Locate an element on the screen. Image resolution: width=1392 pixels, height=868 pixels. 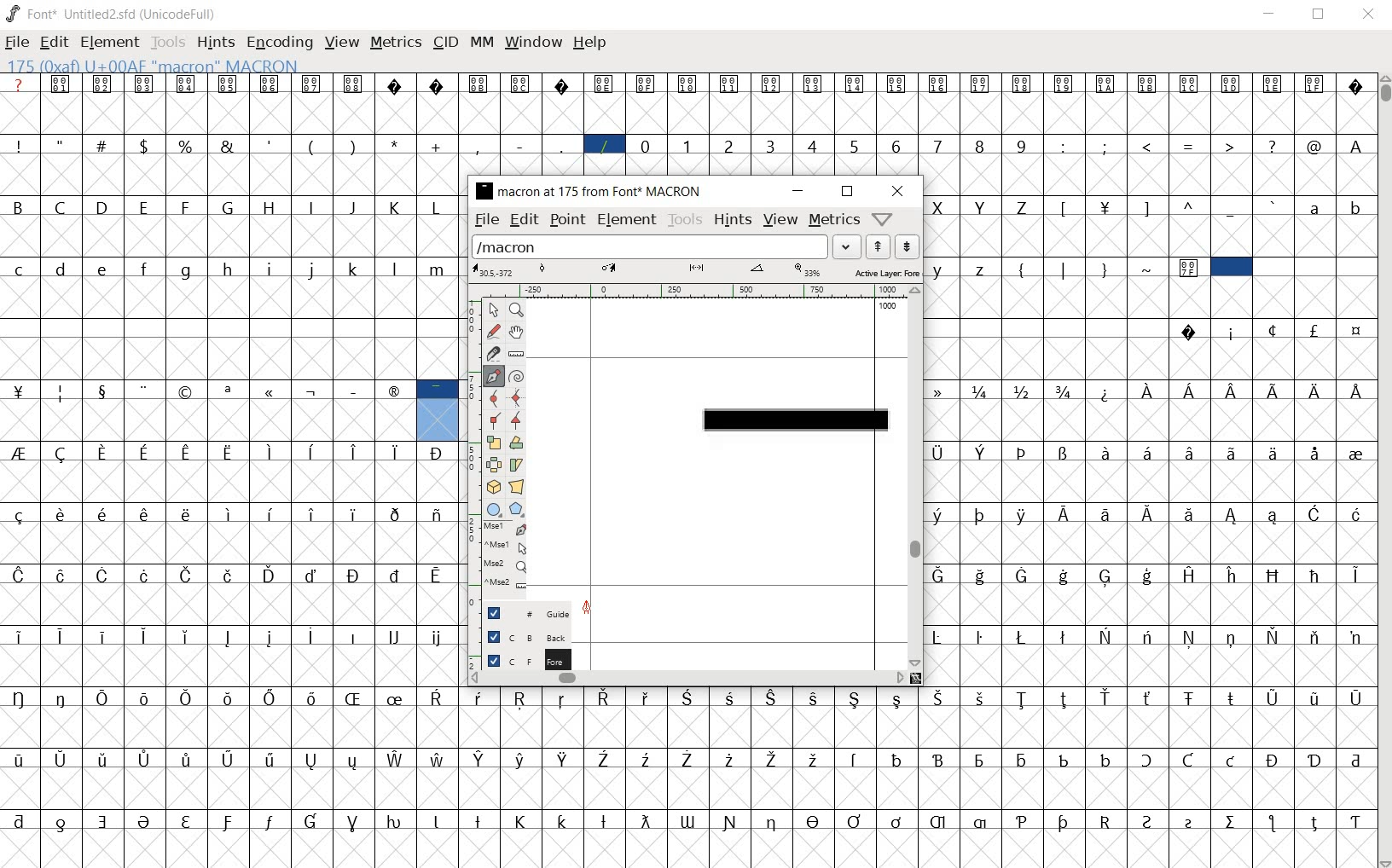
D is located at coordinates (104, 208).